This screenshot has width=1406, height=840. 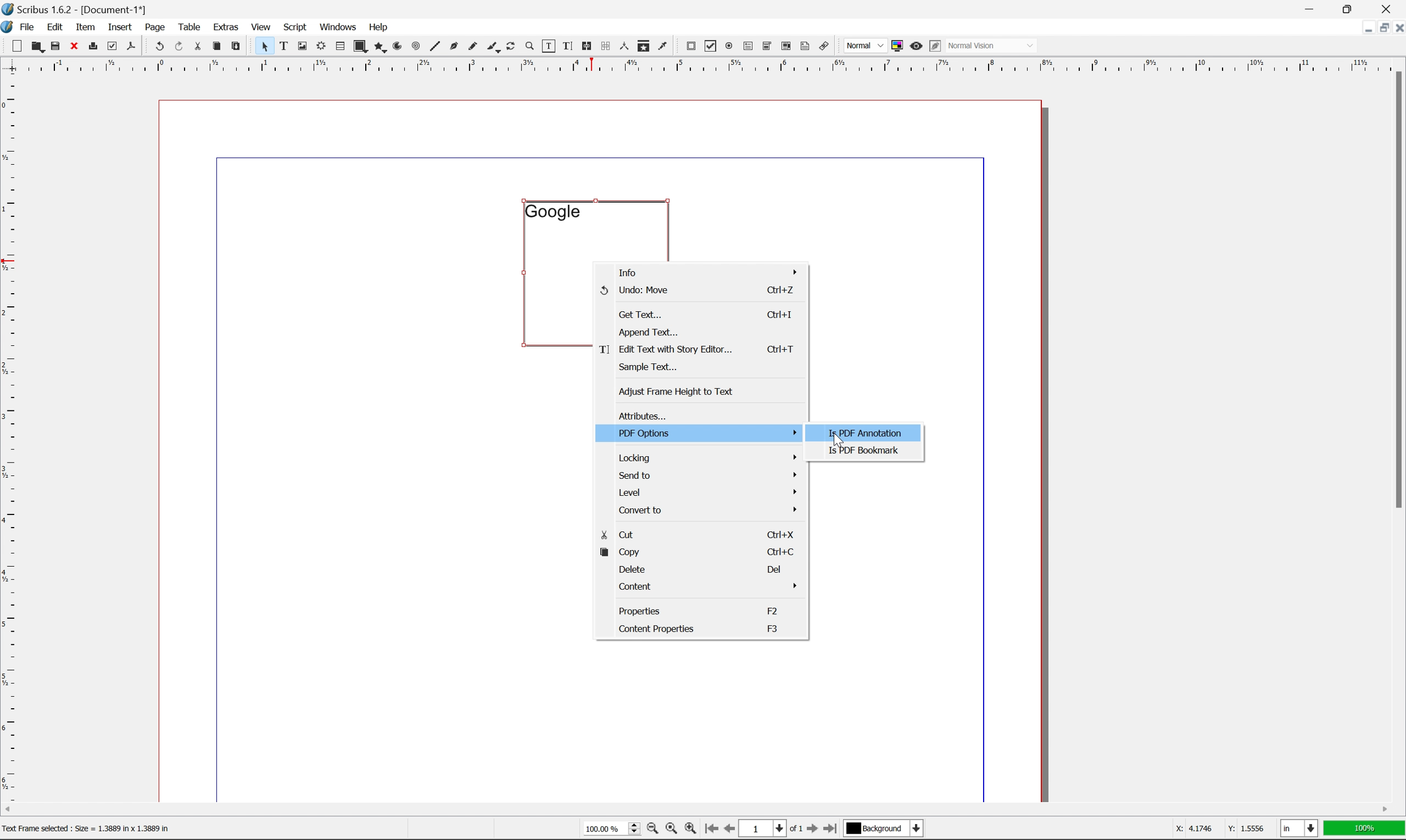 What do you see at coordinates (36, 47) in the screenshot?
I see `open` at bounding box center [36, 47].